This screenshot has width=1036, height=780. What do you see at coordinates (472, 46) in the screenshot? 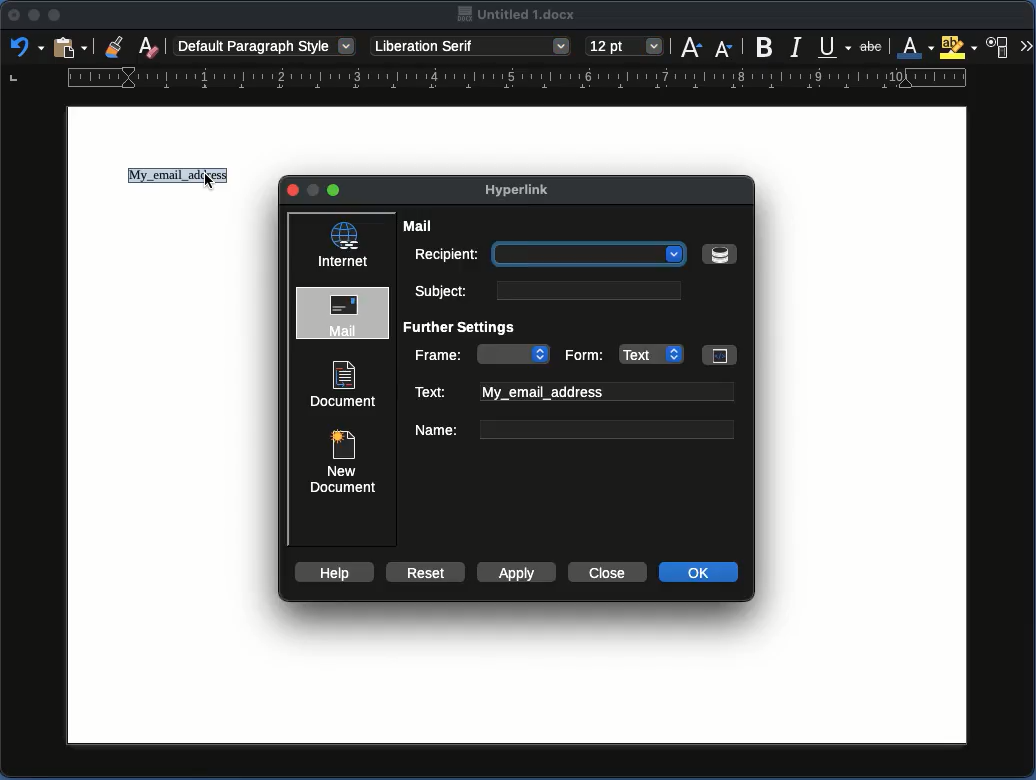
I see `Liberation Serif` at bounding box center [472, 46].